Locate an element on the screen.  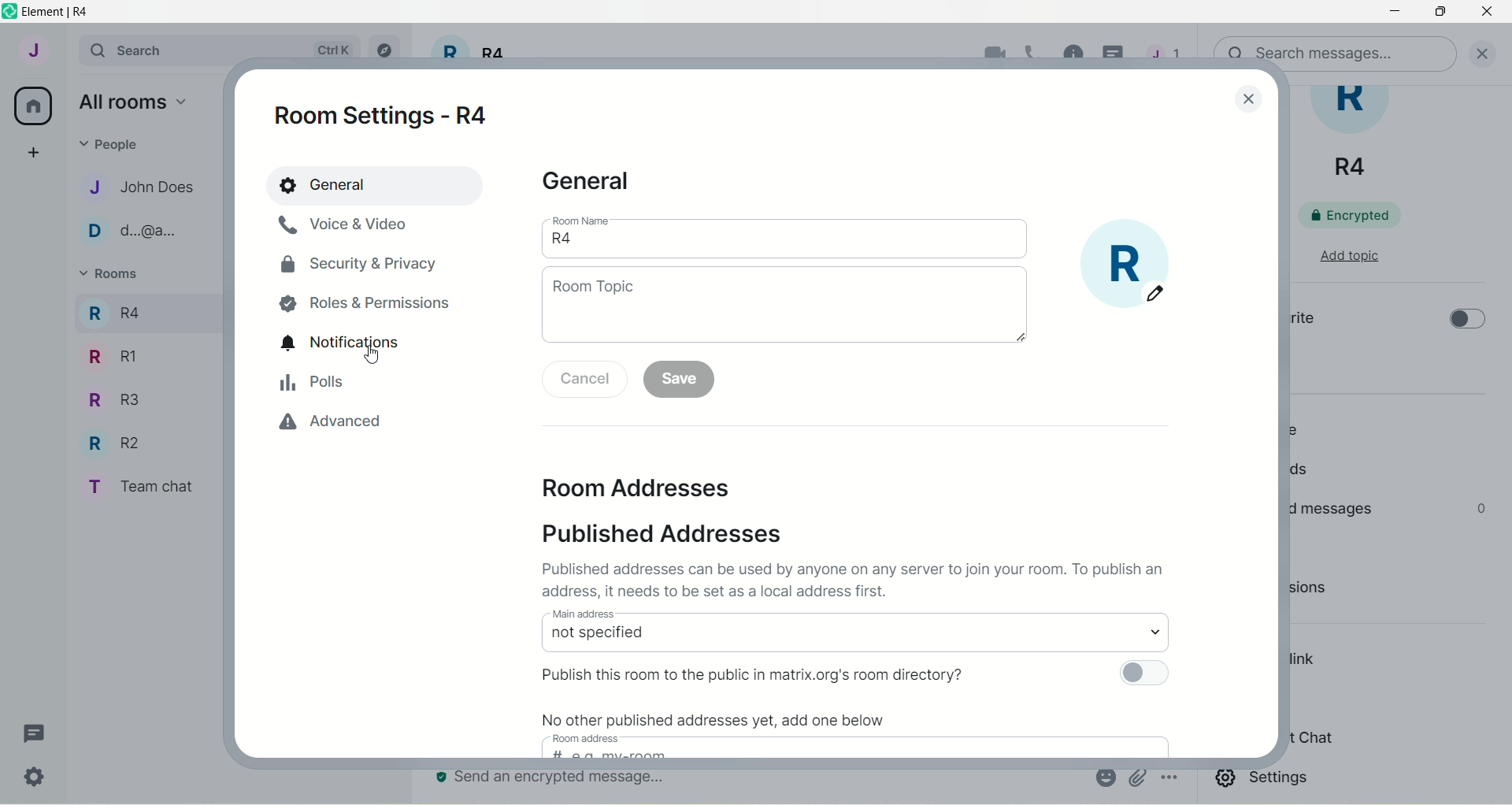
people is located at coordinates (115, 143).